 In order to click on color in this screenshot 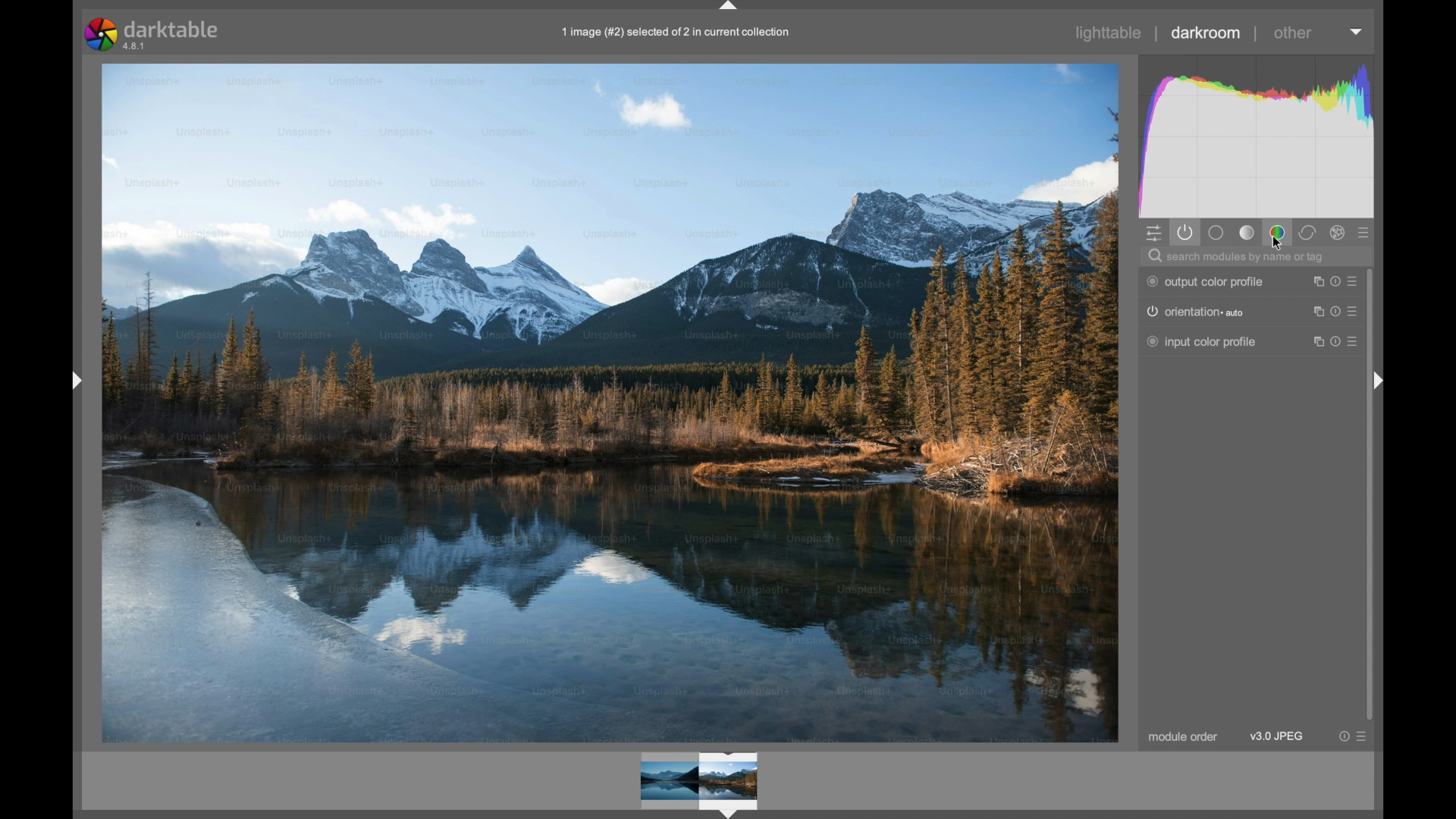, I will do `click(1277, 233)`.